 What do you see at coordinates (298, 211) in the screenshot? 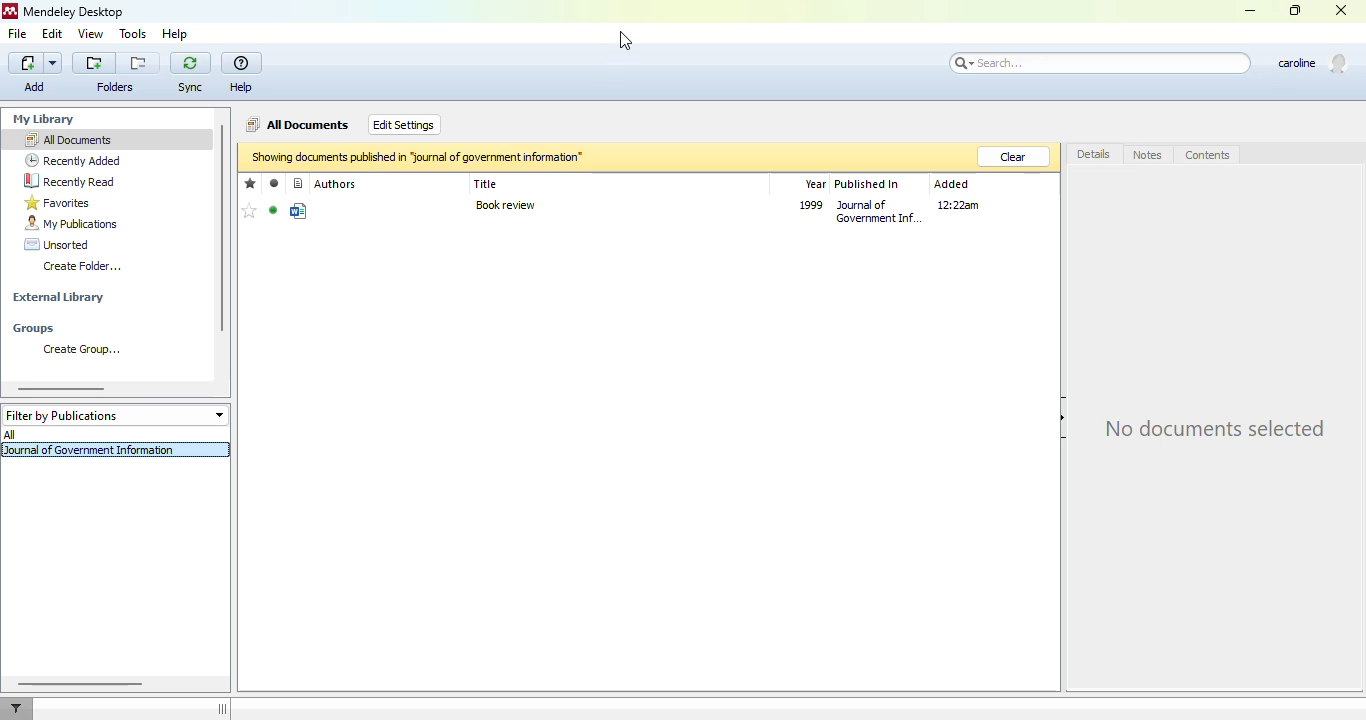
I see `generic` at bounding box center [298, 211].